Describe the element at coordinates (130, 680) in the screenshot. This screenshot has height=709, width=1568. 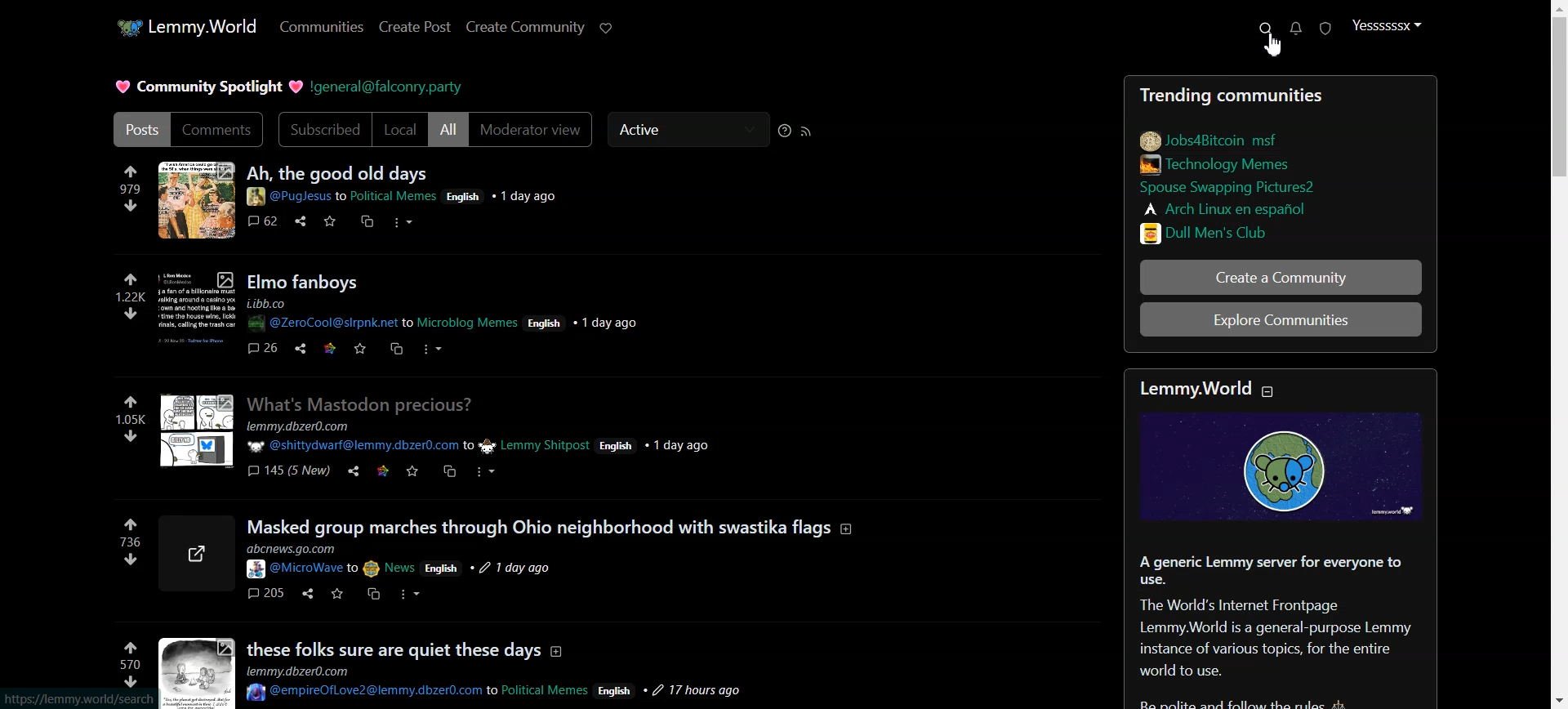
I see `` at that location.